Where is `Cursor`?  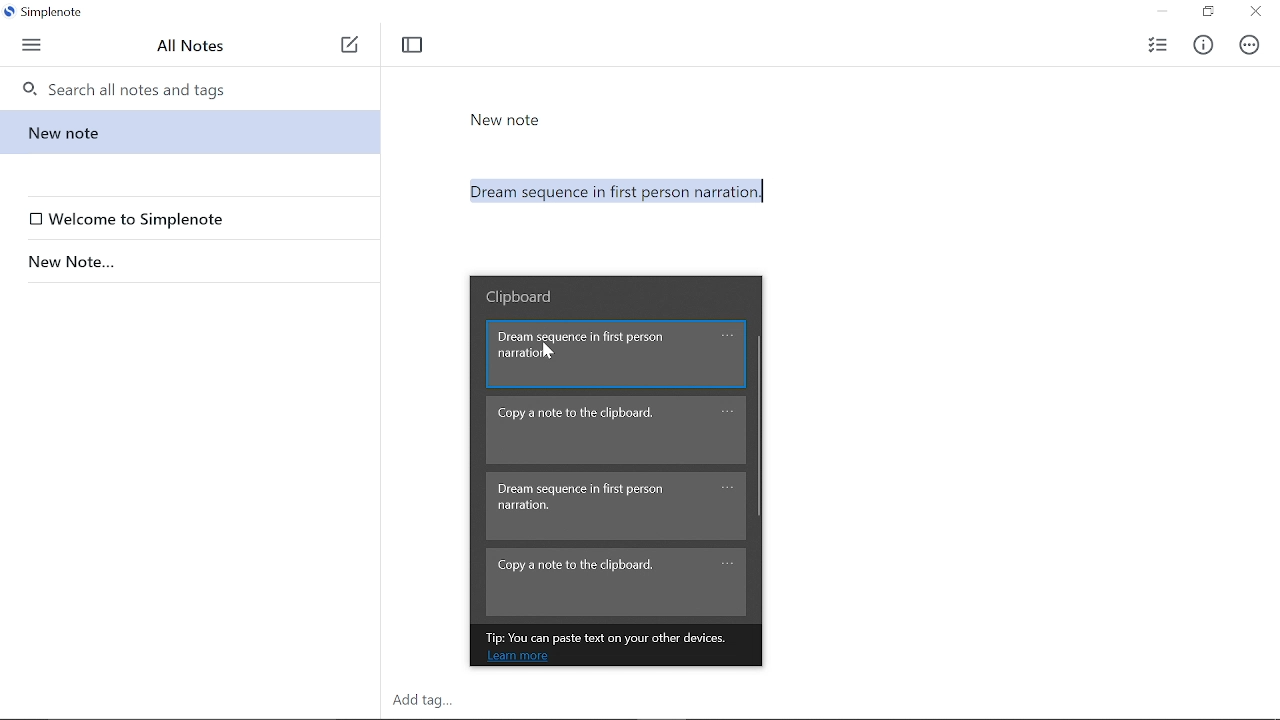 Cursor is located at coordinates (548, 355).